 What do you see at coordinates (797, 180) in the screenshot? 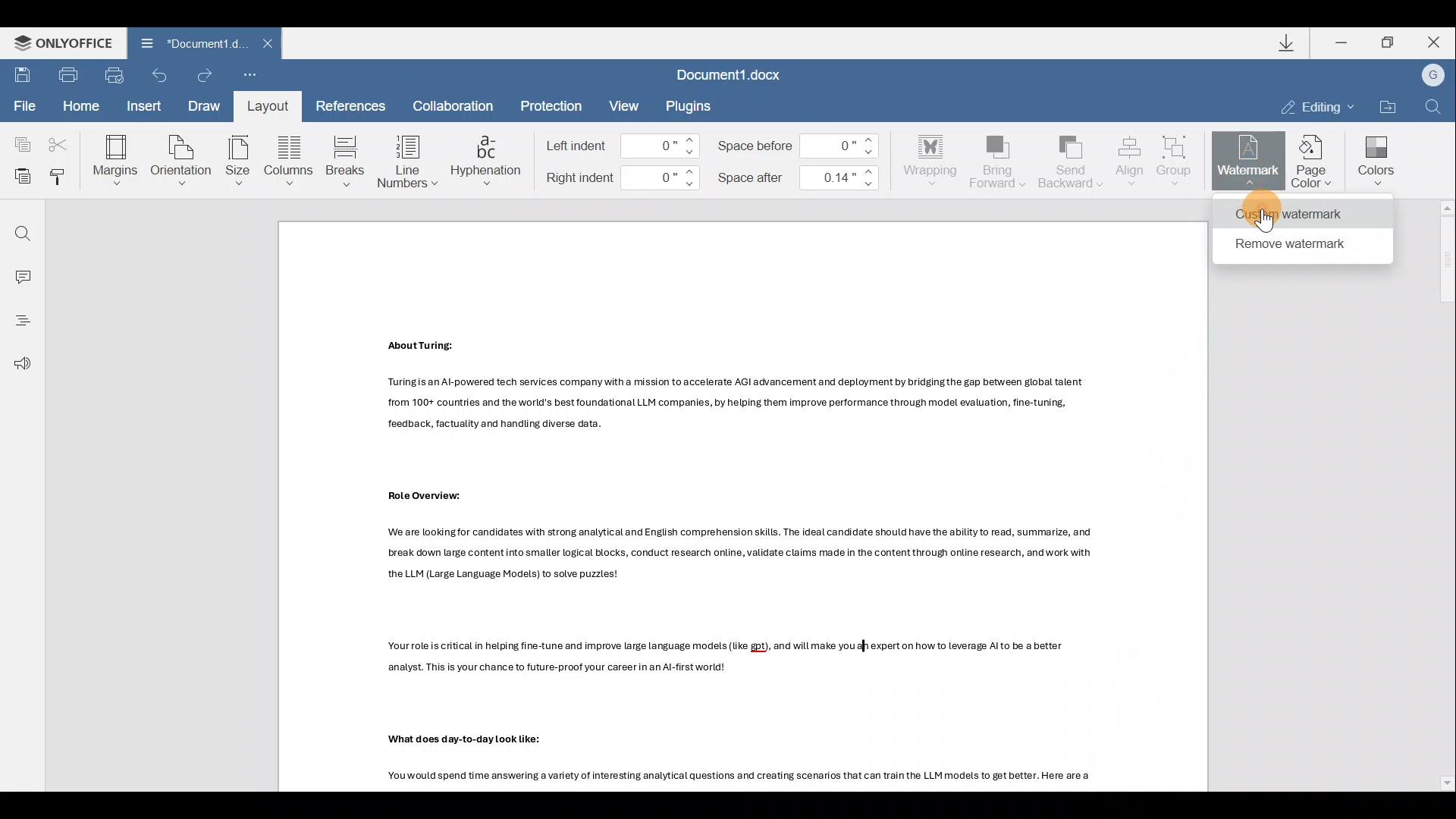
I see `Space after` at bounding box center [797, 180].